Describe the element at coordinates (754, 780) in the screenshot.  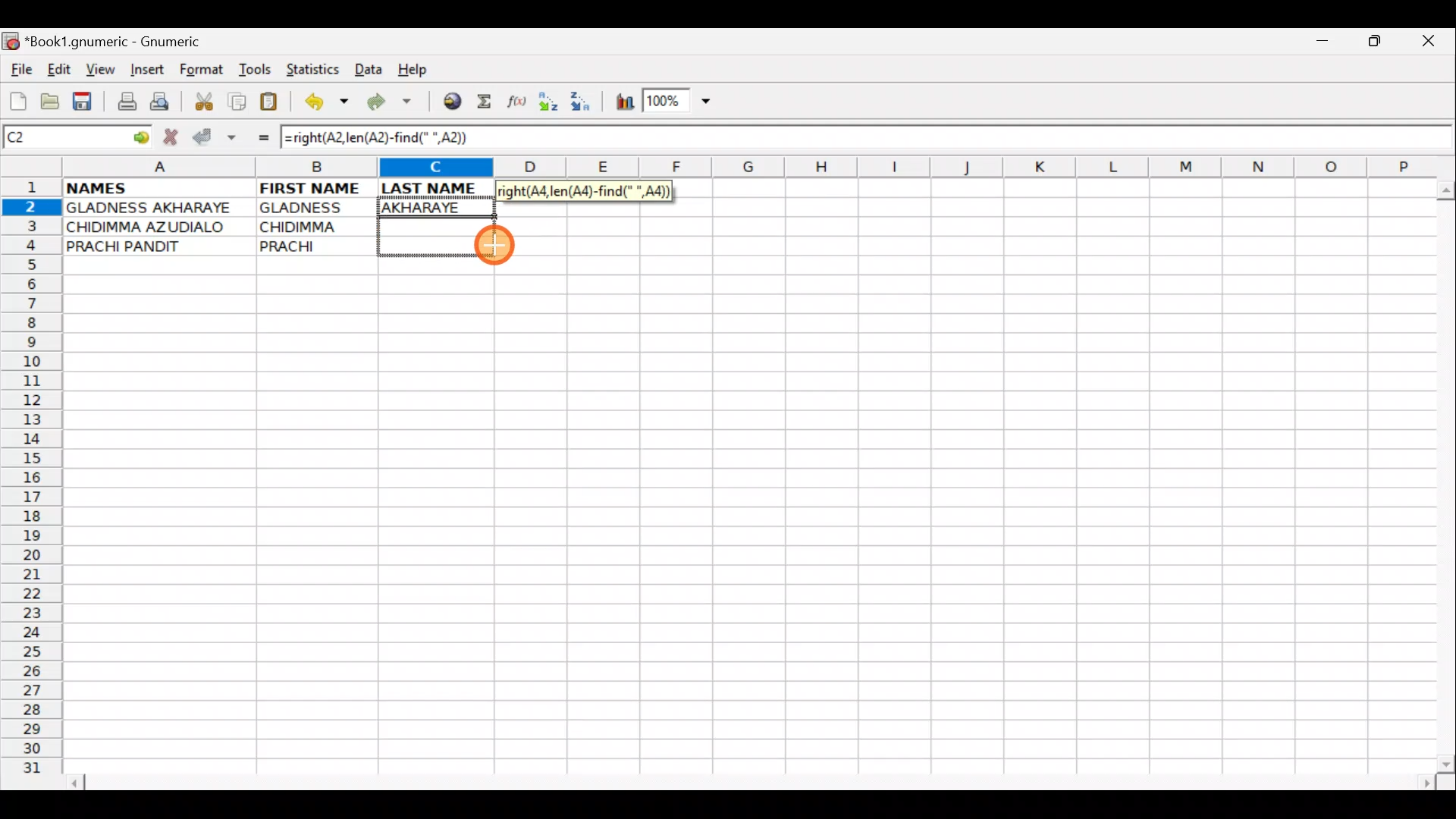
I see `Scroll bar` at that location.